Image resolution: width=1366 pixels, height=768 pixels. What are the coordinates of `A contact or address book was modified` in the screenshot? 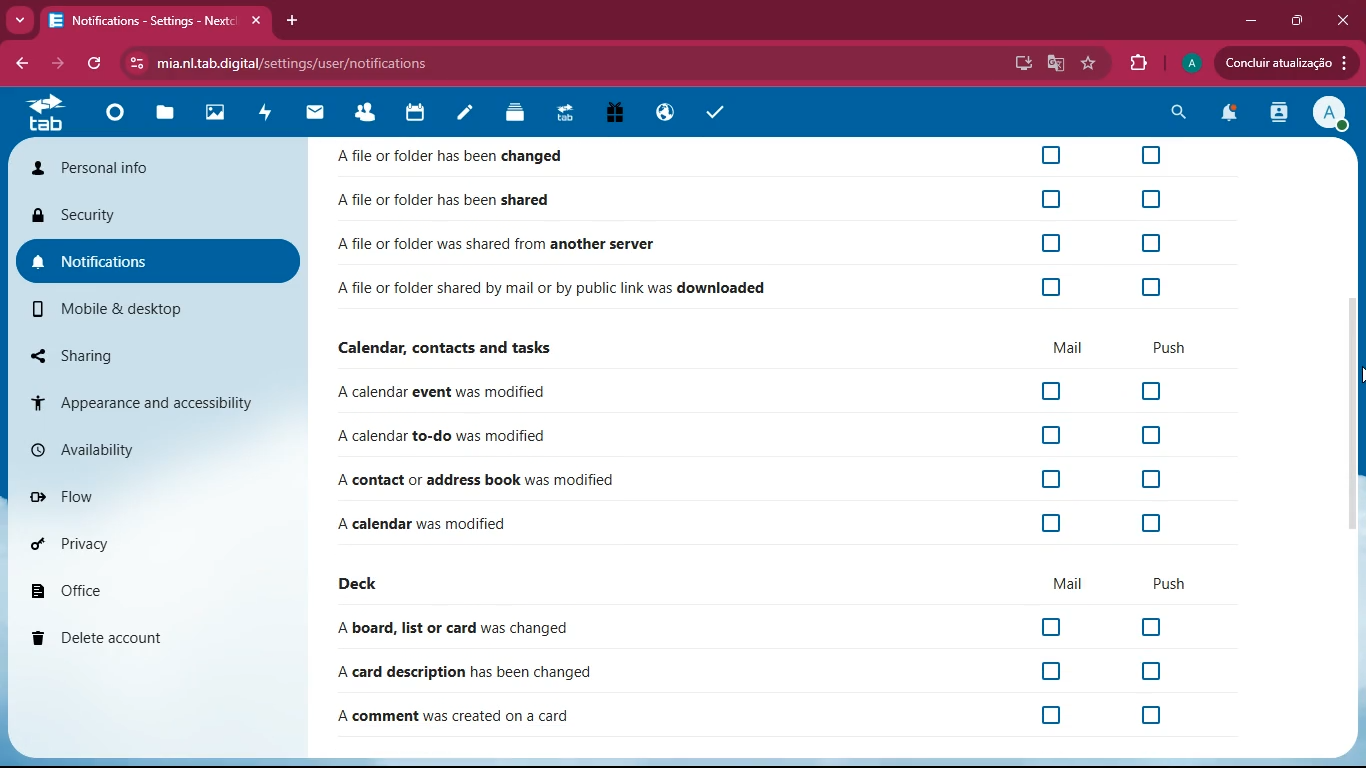 It's located at (478, 483).